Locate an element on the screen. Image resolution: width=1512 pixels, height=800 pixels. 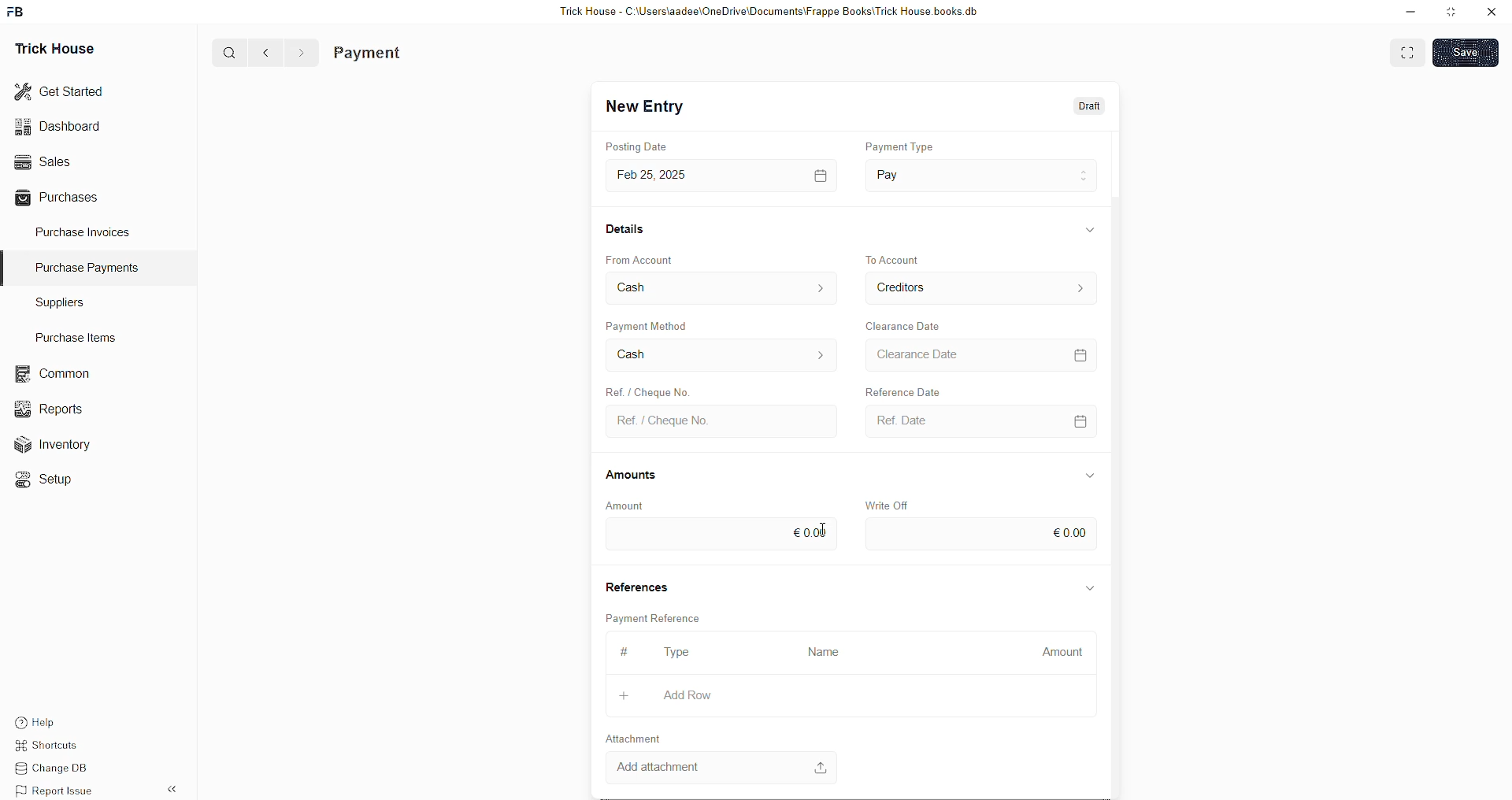
Q is located at coordinates (224, 51).